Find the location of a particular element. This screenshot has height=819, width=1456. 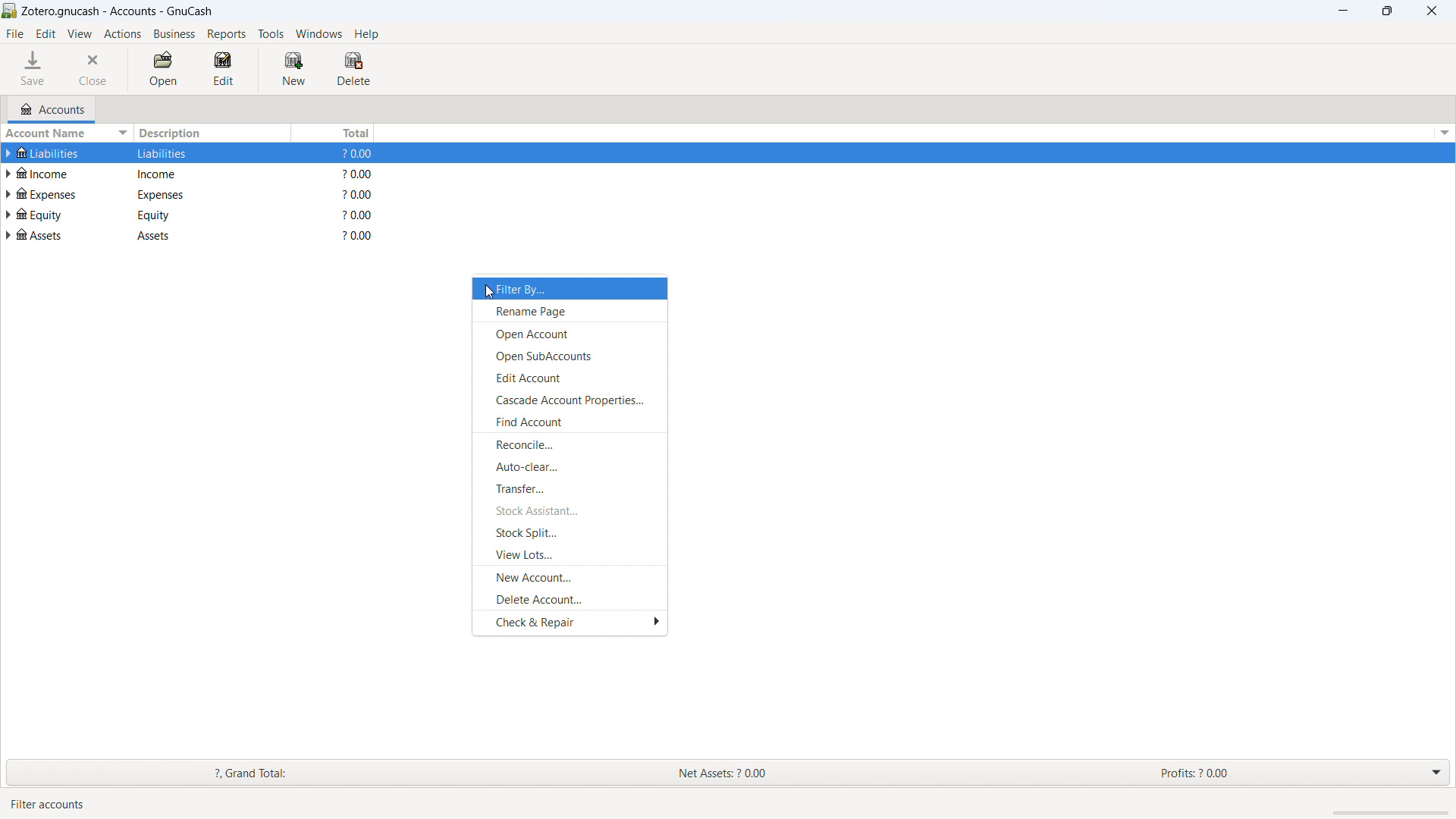

edit is located at coordinates (45, 34).